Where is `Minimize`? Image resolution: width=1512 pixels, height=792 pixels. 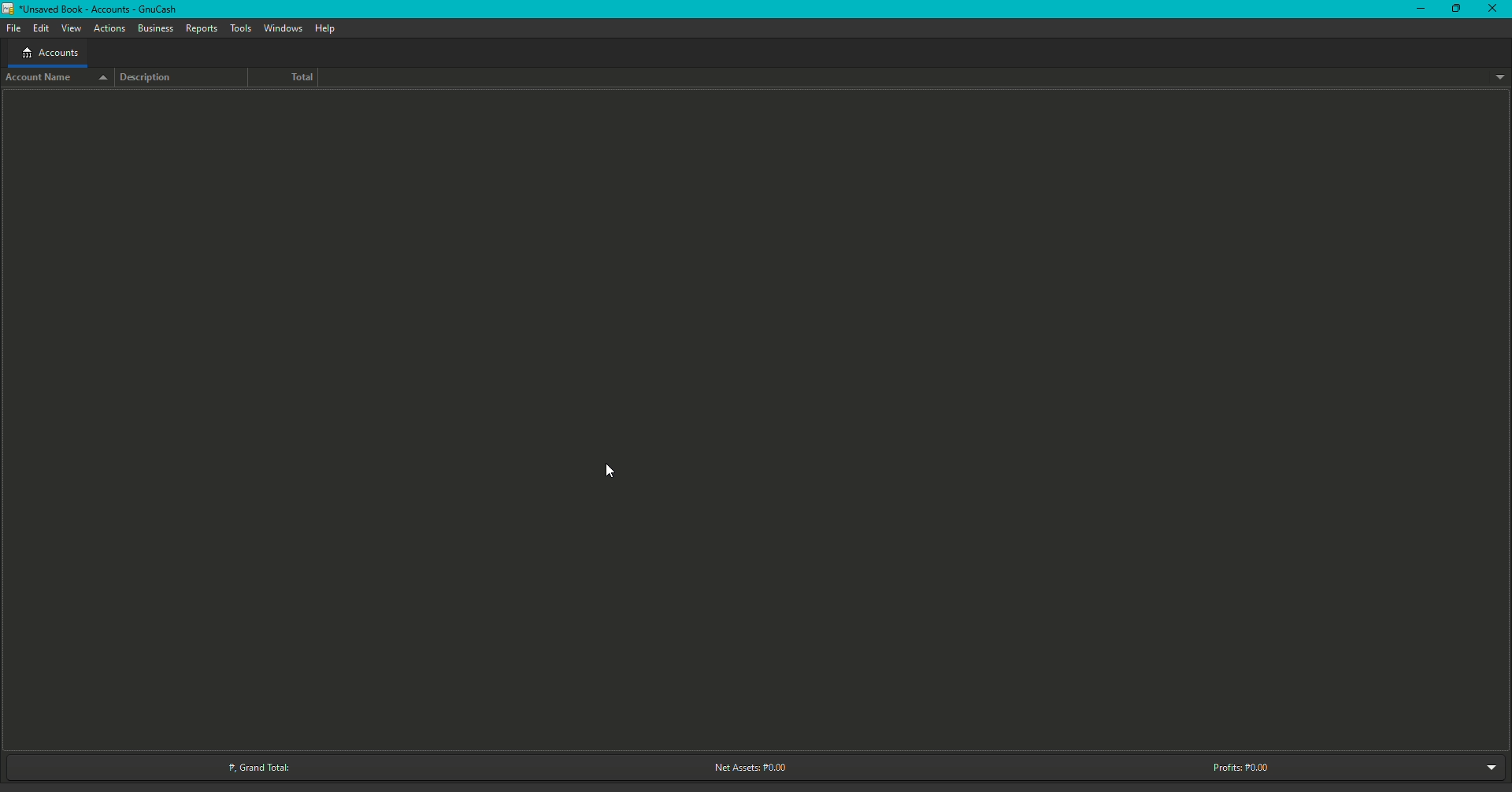 Minimize is located at coordinates (1417, 9).